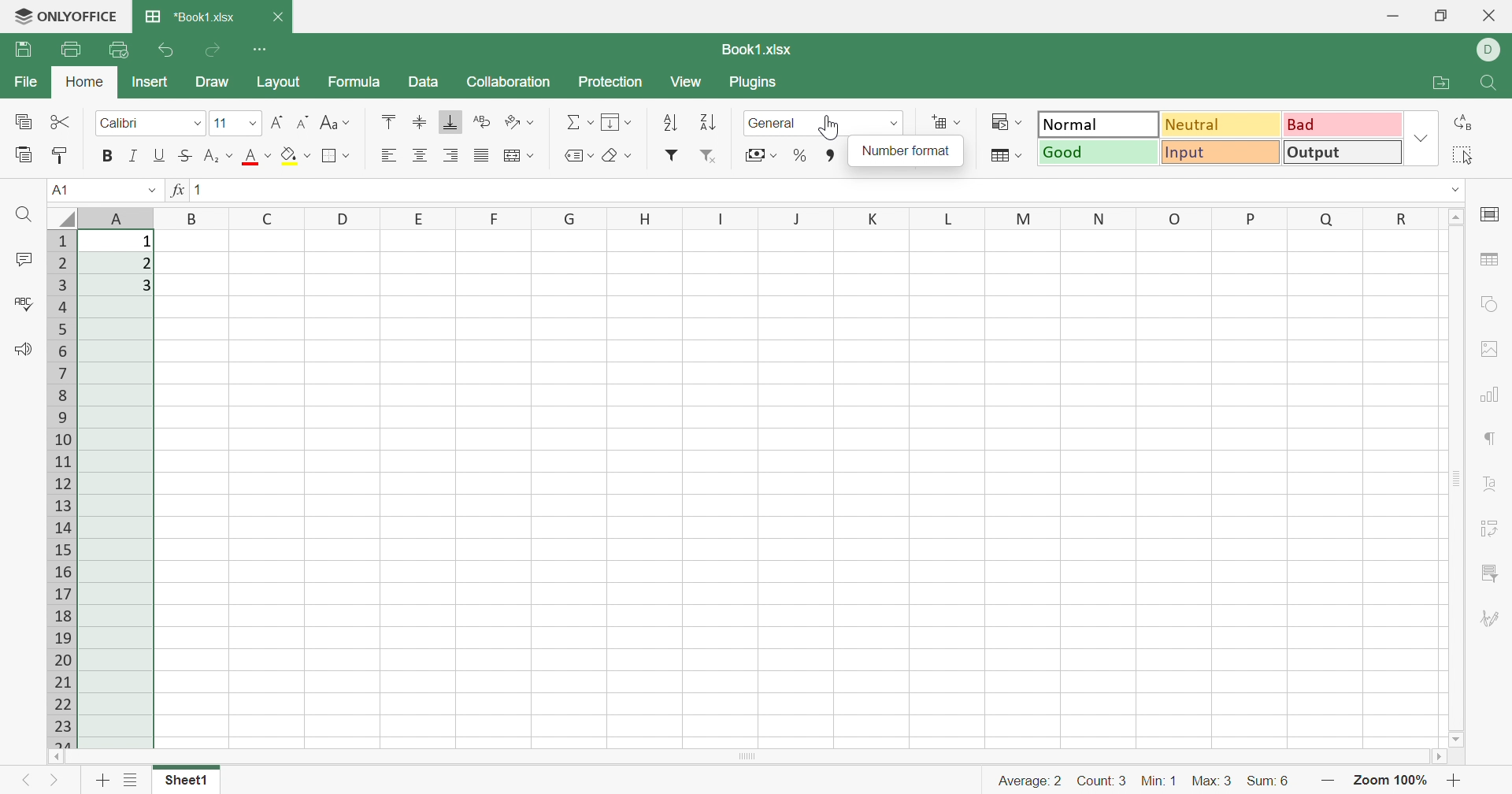 This screenshot has width=1512, height=794. Describe the element at coordinates (119, 49) in the screenshot. I see `Quick print` at that location.